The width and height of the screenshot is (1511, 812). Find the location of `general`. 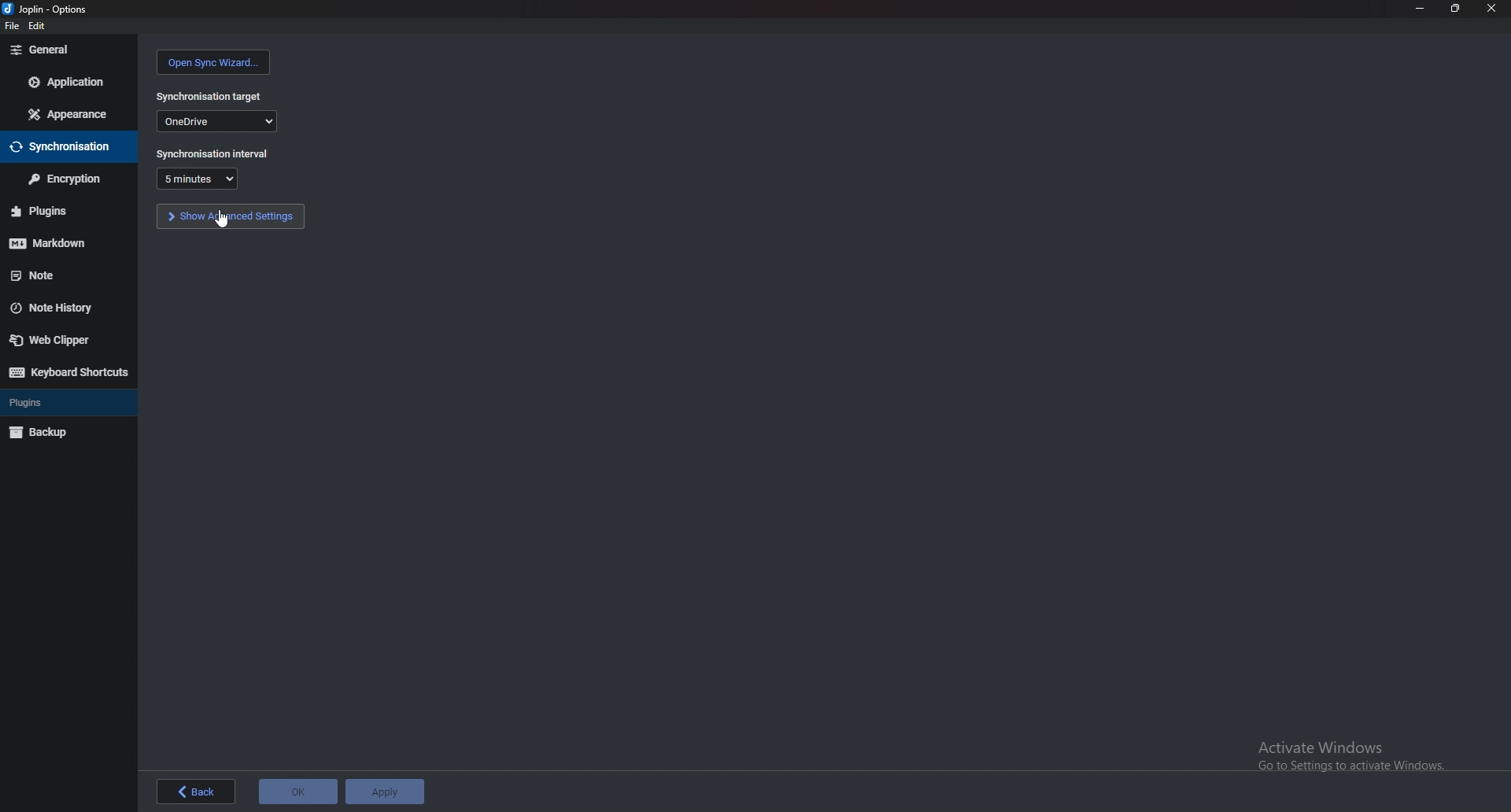

general is located at coordinates (68, 50).